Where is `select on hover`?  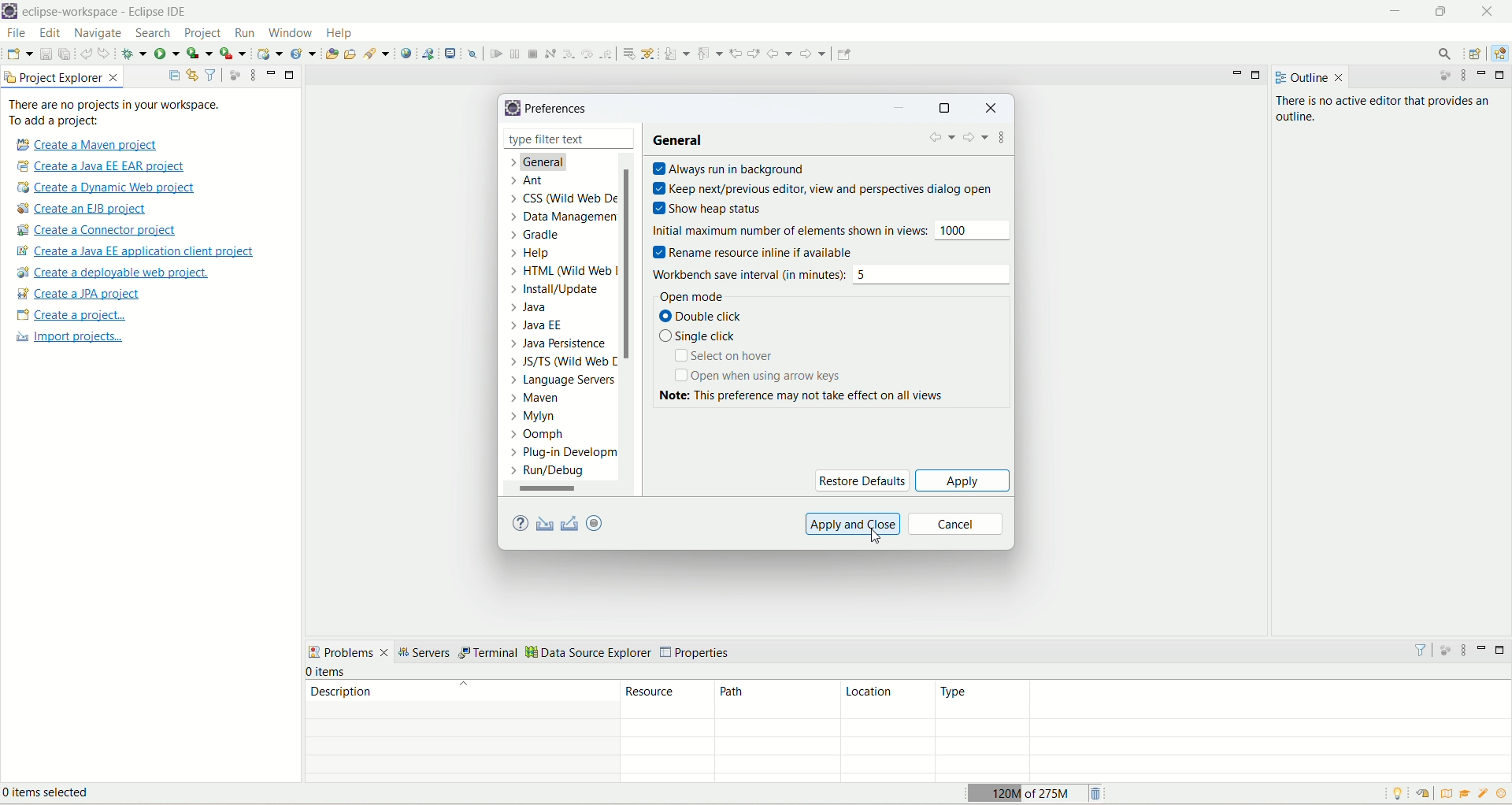 select on hover is located at coordinates (728, 358).